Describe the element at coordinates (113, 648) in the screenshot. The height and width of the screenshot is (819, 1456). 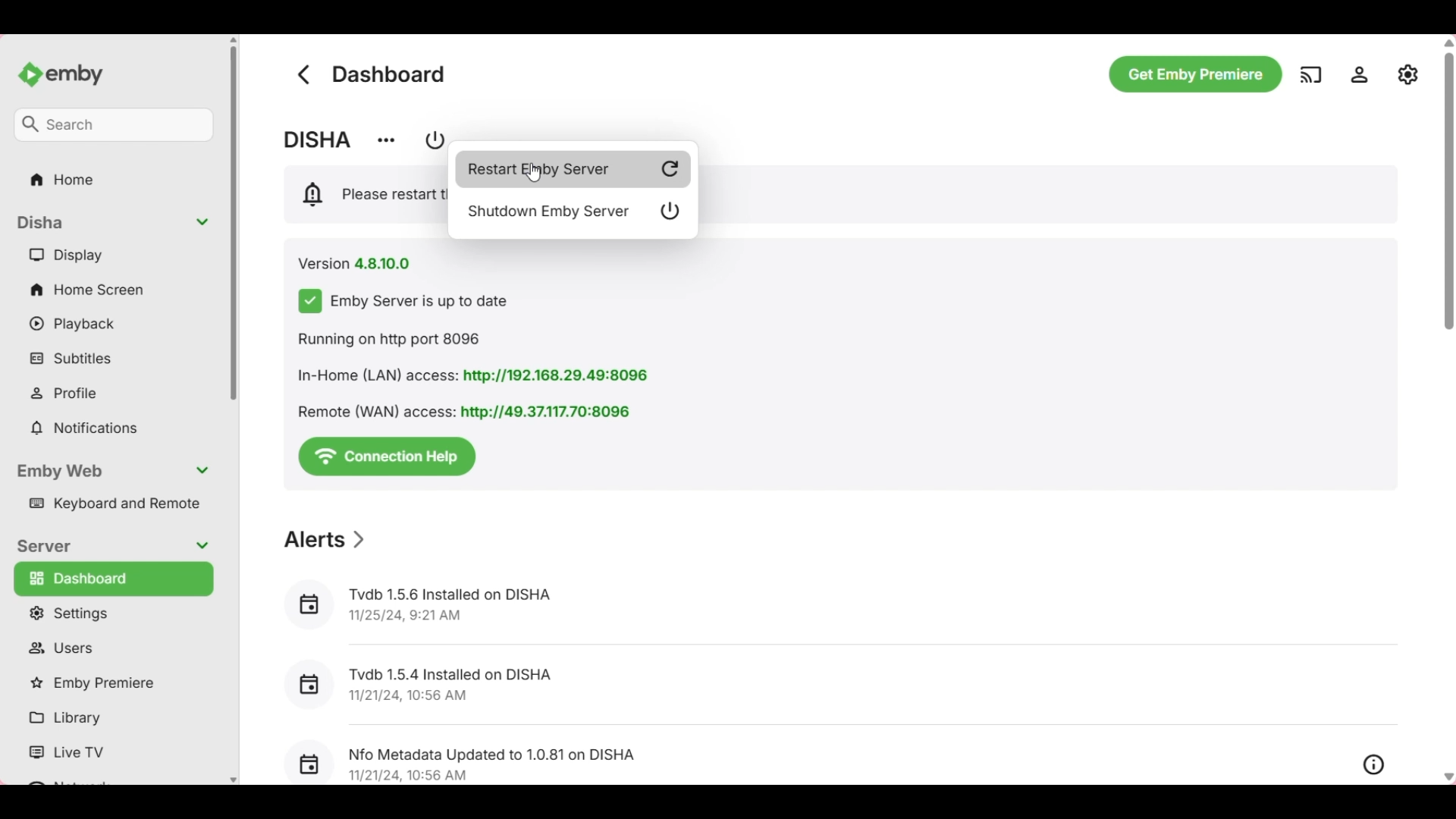
I see `Users` at that location.